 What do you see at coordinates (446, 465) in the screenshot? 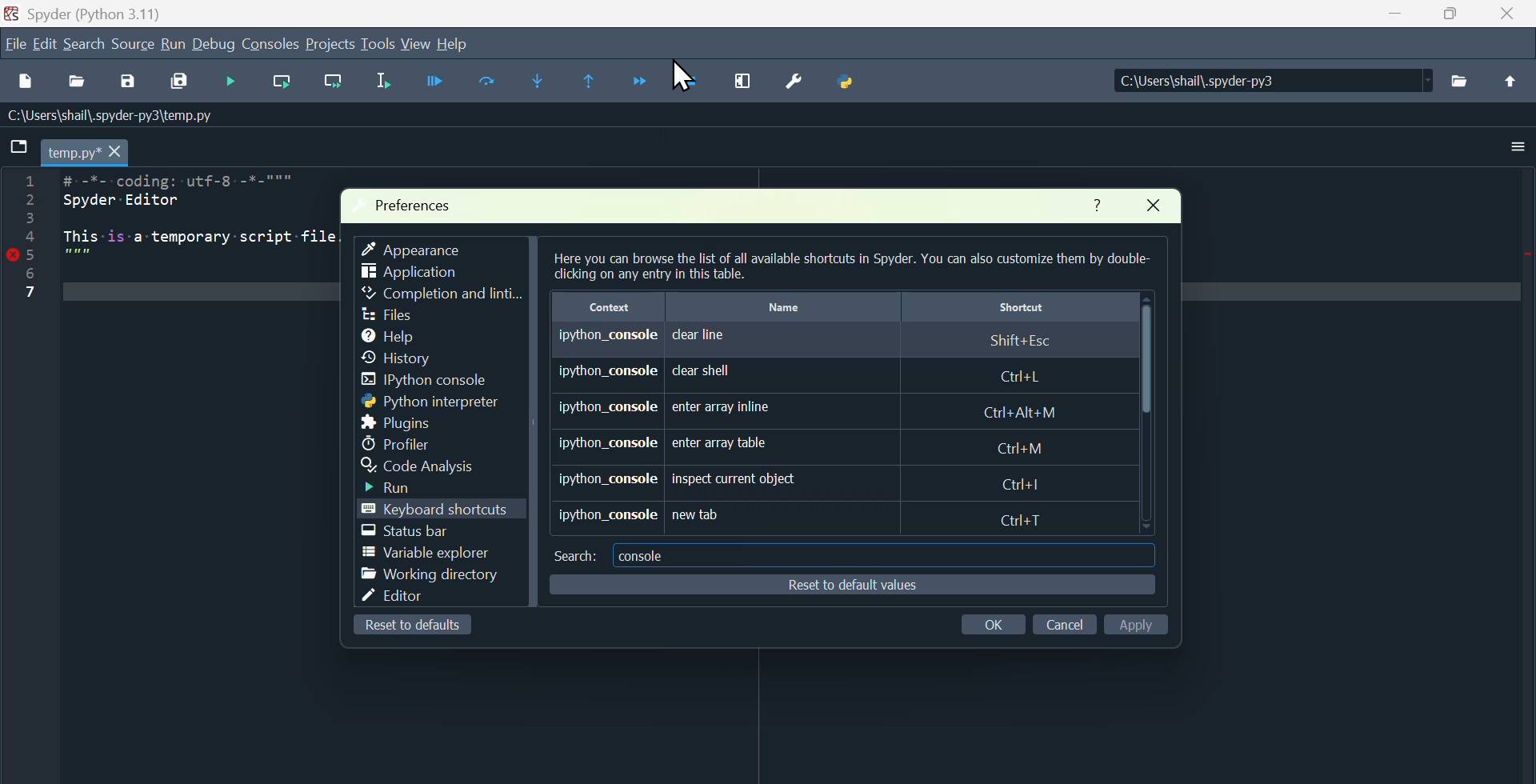
I see `Code analysis` at bounding box center [446, 465].